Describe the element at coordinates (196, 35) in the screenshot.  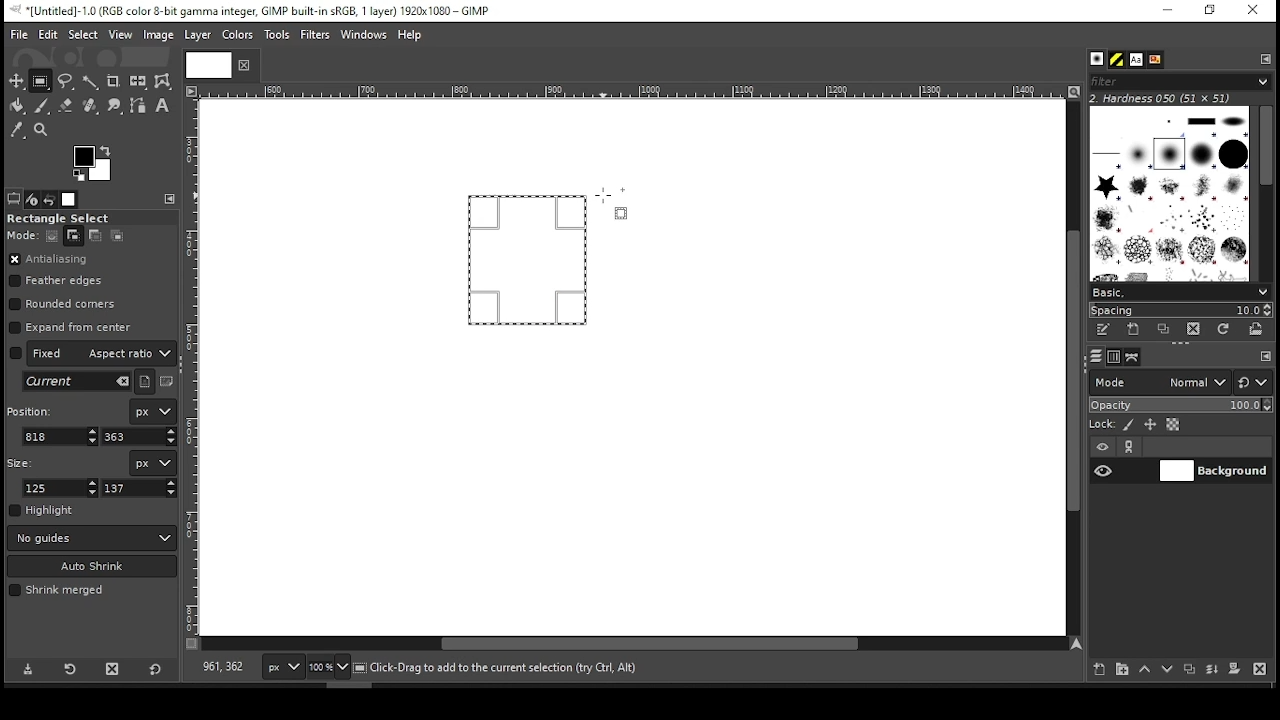
I see `layer` at that location.